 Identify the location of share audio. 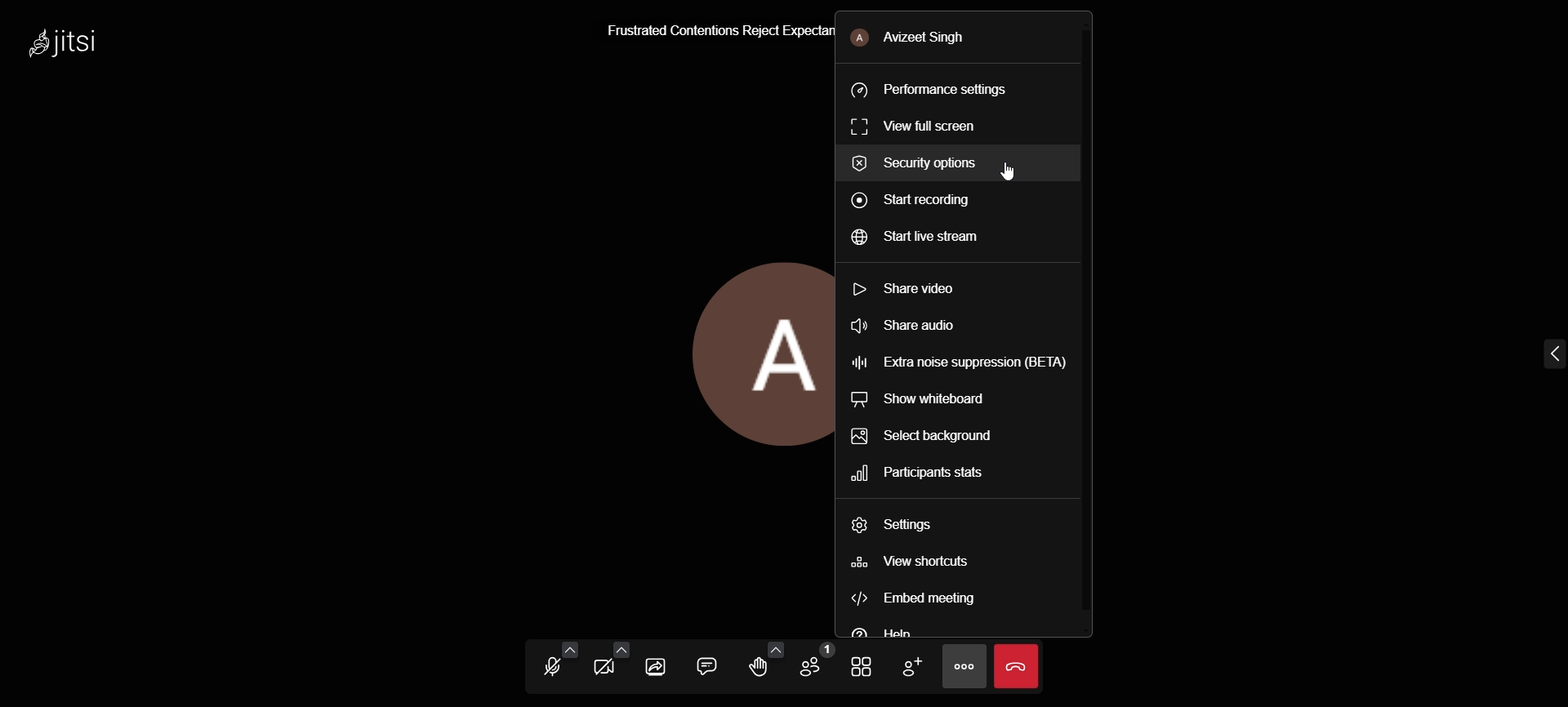
(912, 322).